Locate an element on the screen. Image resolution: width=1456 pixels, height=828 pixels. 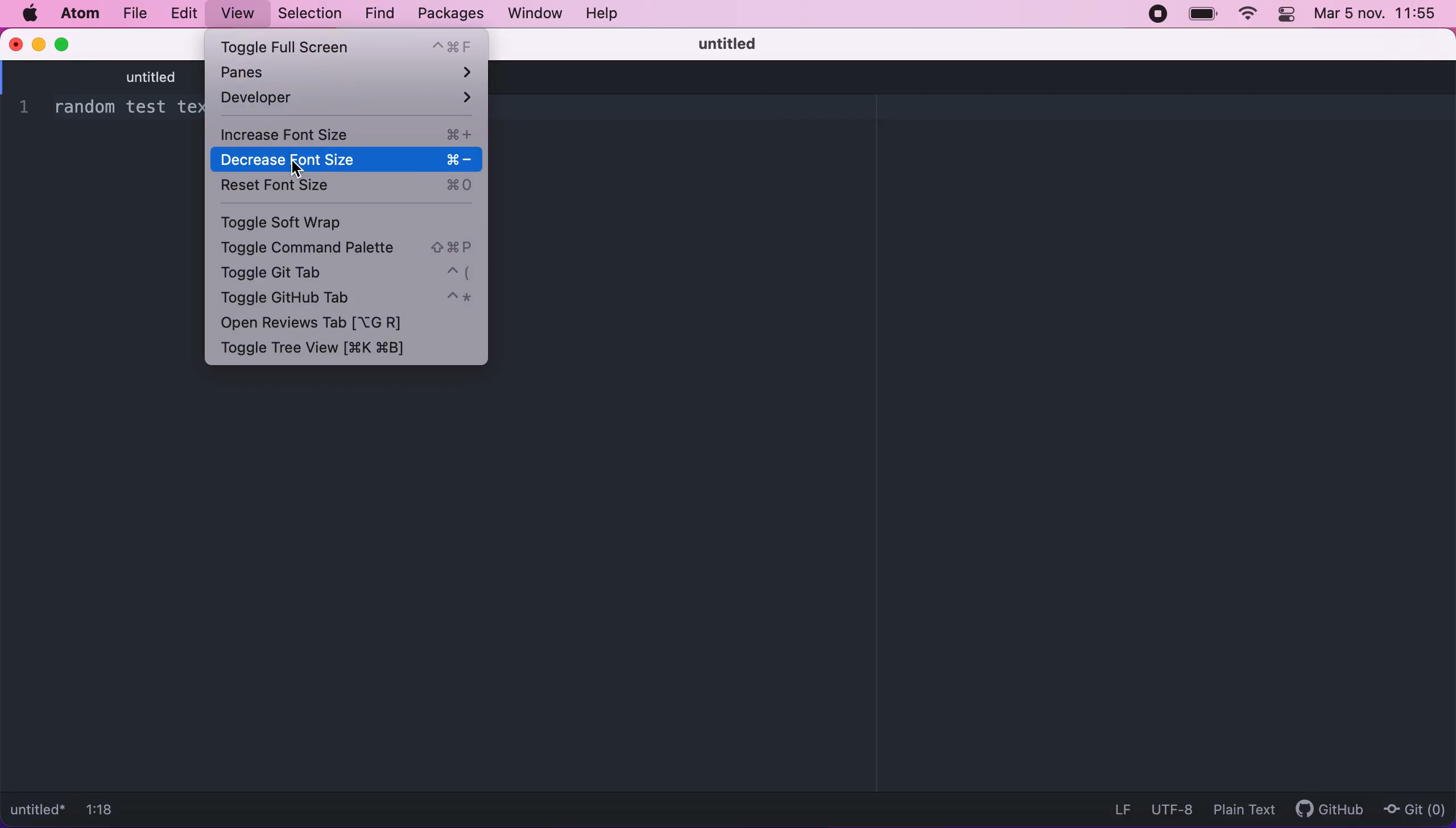
Mar 5 nov. 11:55 is located at coordinates (1374, 15).